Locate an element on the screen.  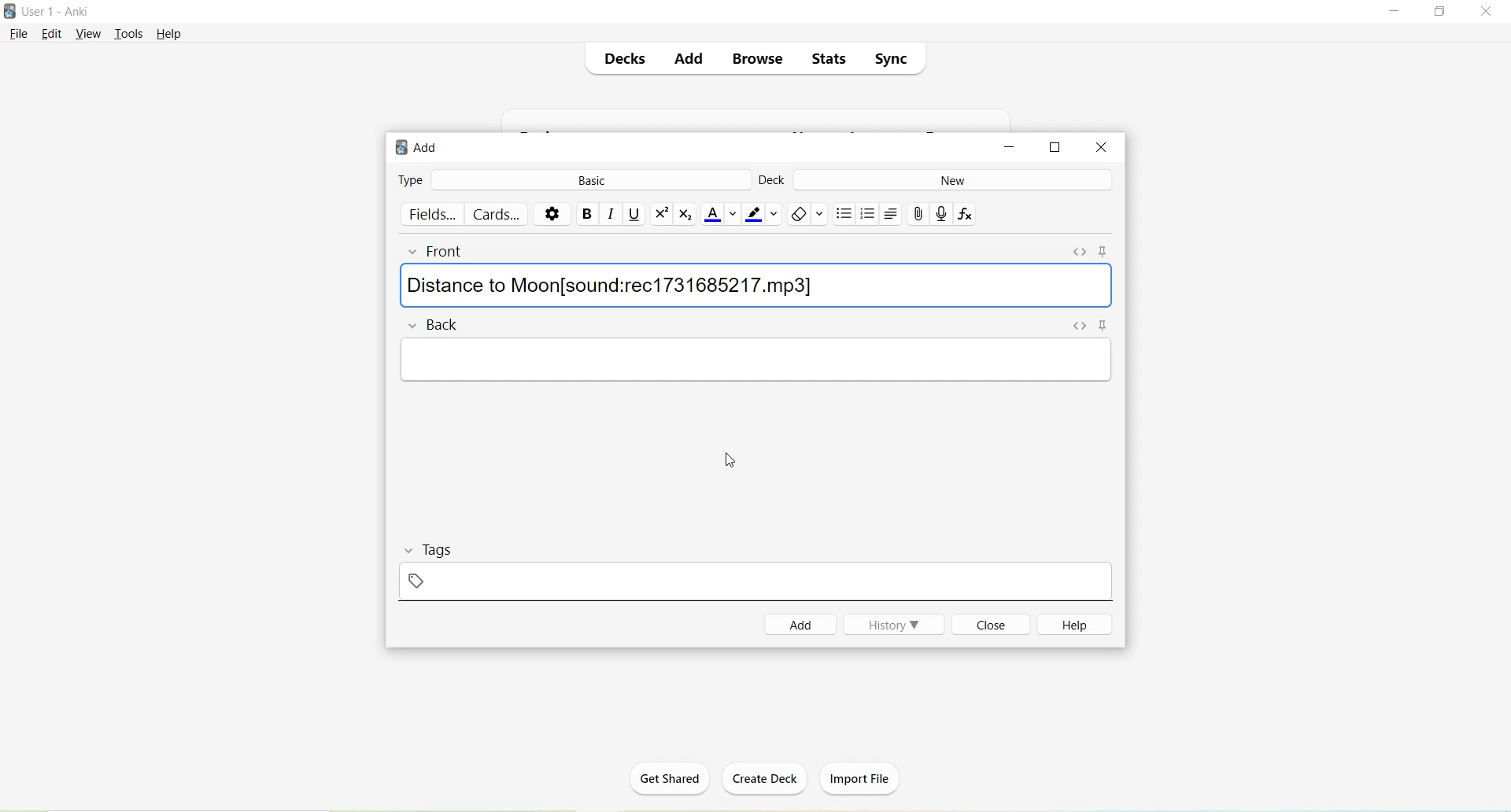
Underline is located at coordinates (636, 215).